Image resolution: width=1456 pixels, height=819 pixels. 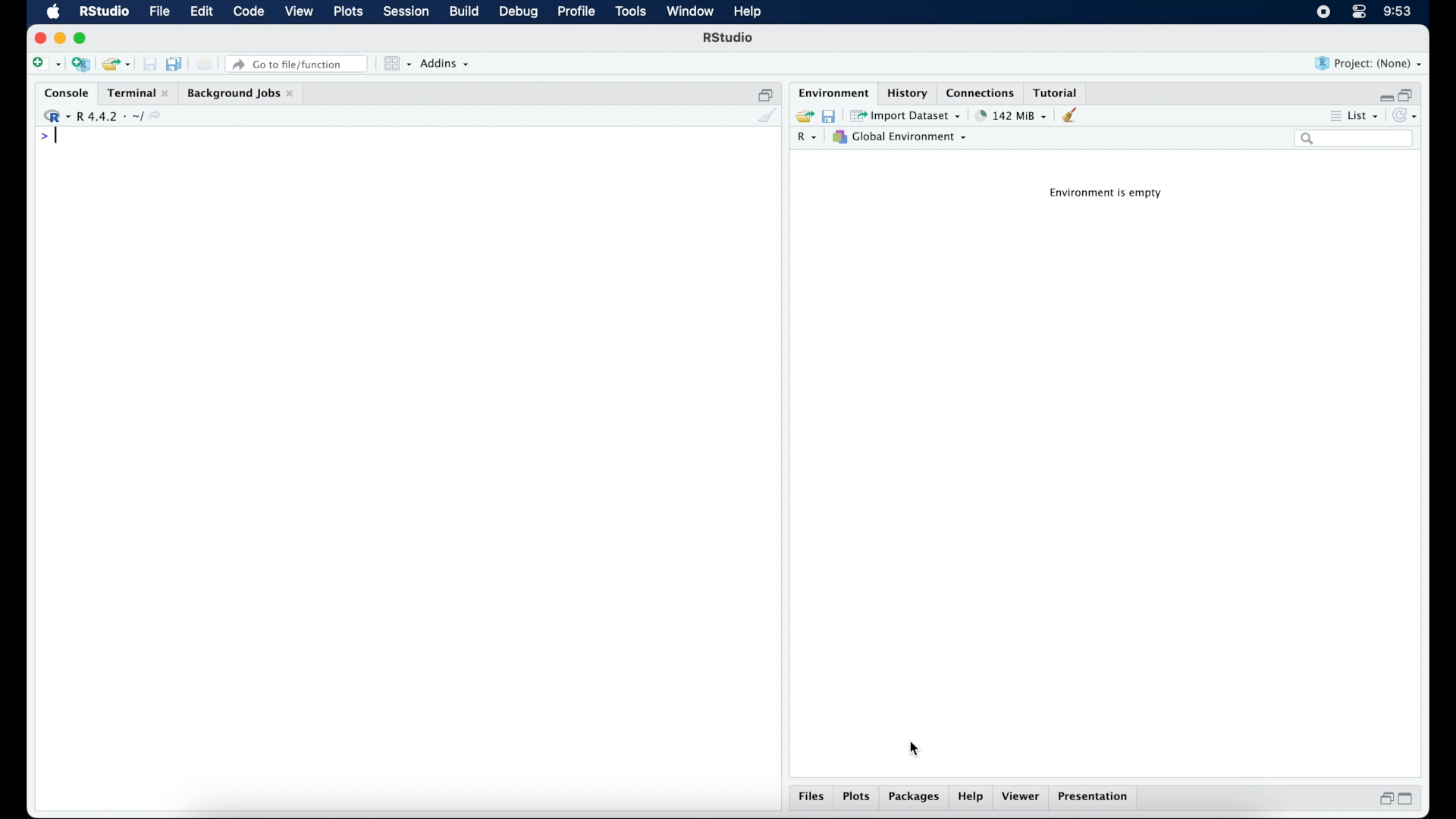 I want to click on connections, so click(x=982, y=92).